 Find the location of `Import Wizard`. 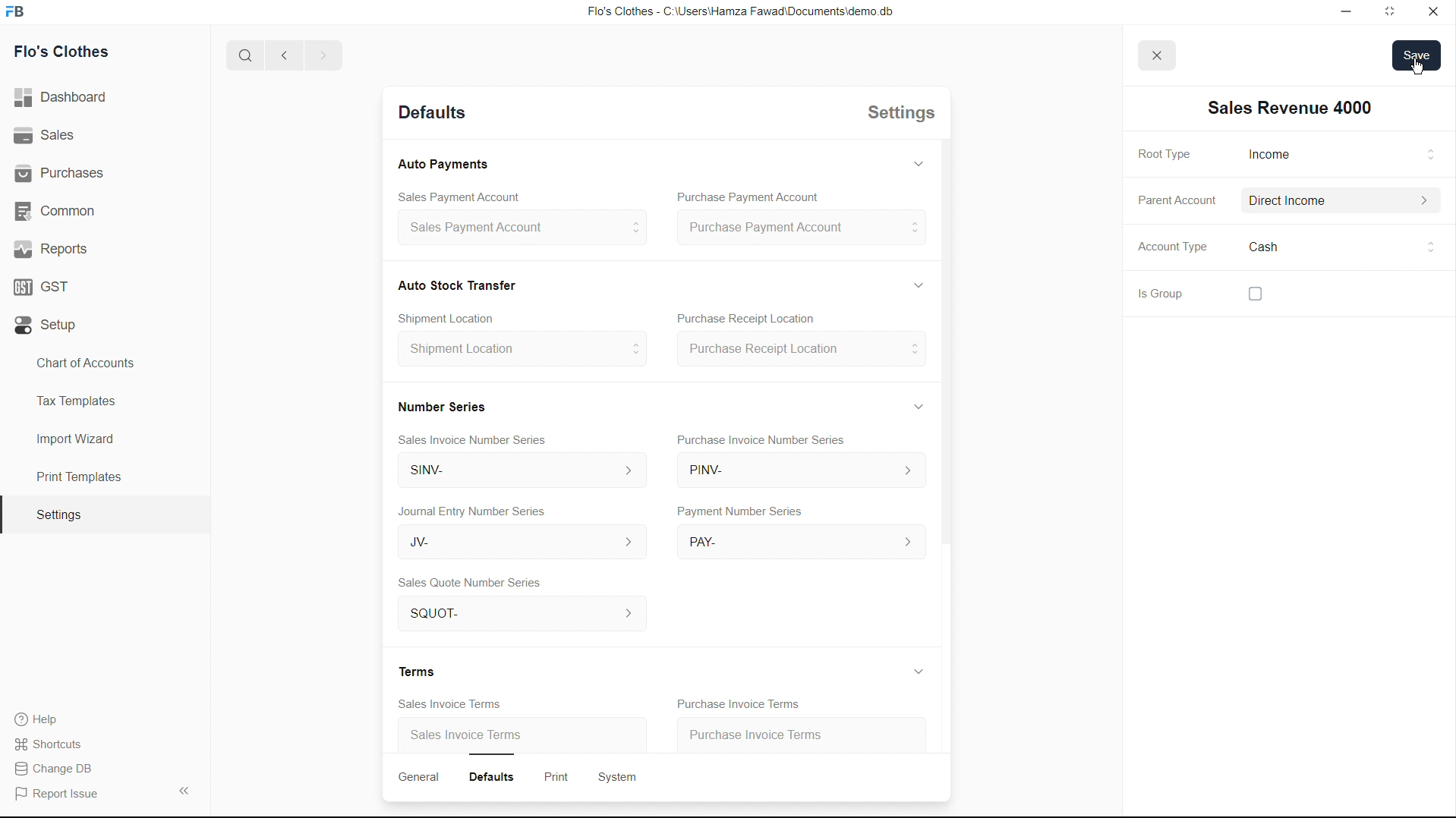

Import Wizard is located at coordinates (75, 439).